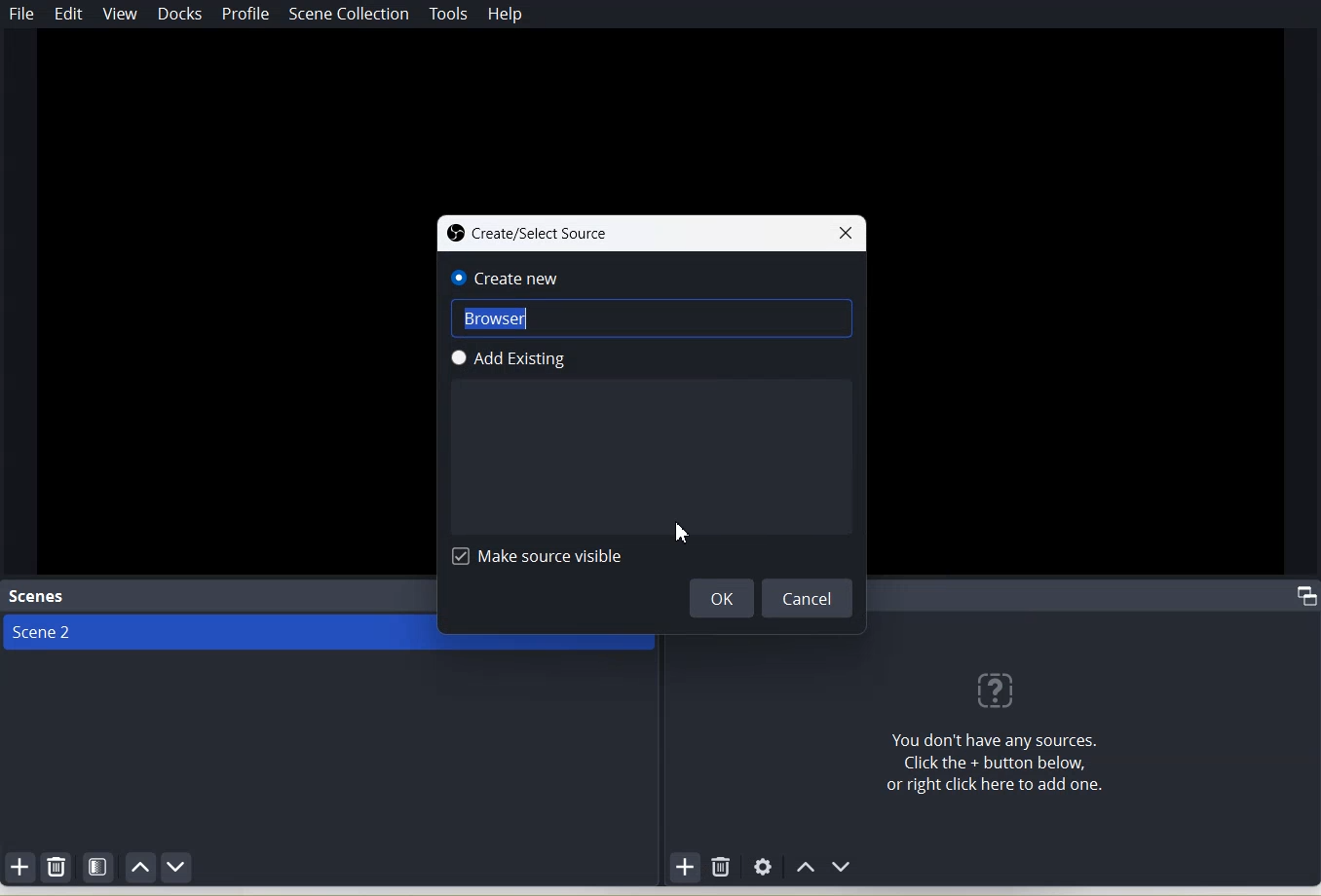 This screenshot has width=1321, height=896. Describe the element at coordinates (99, 866) in the screenshot. I see `Open Scene Filter` at that location.